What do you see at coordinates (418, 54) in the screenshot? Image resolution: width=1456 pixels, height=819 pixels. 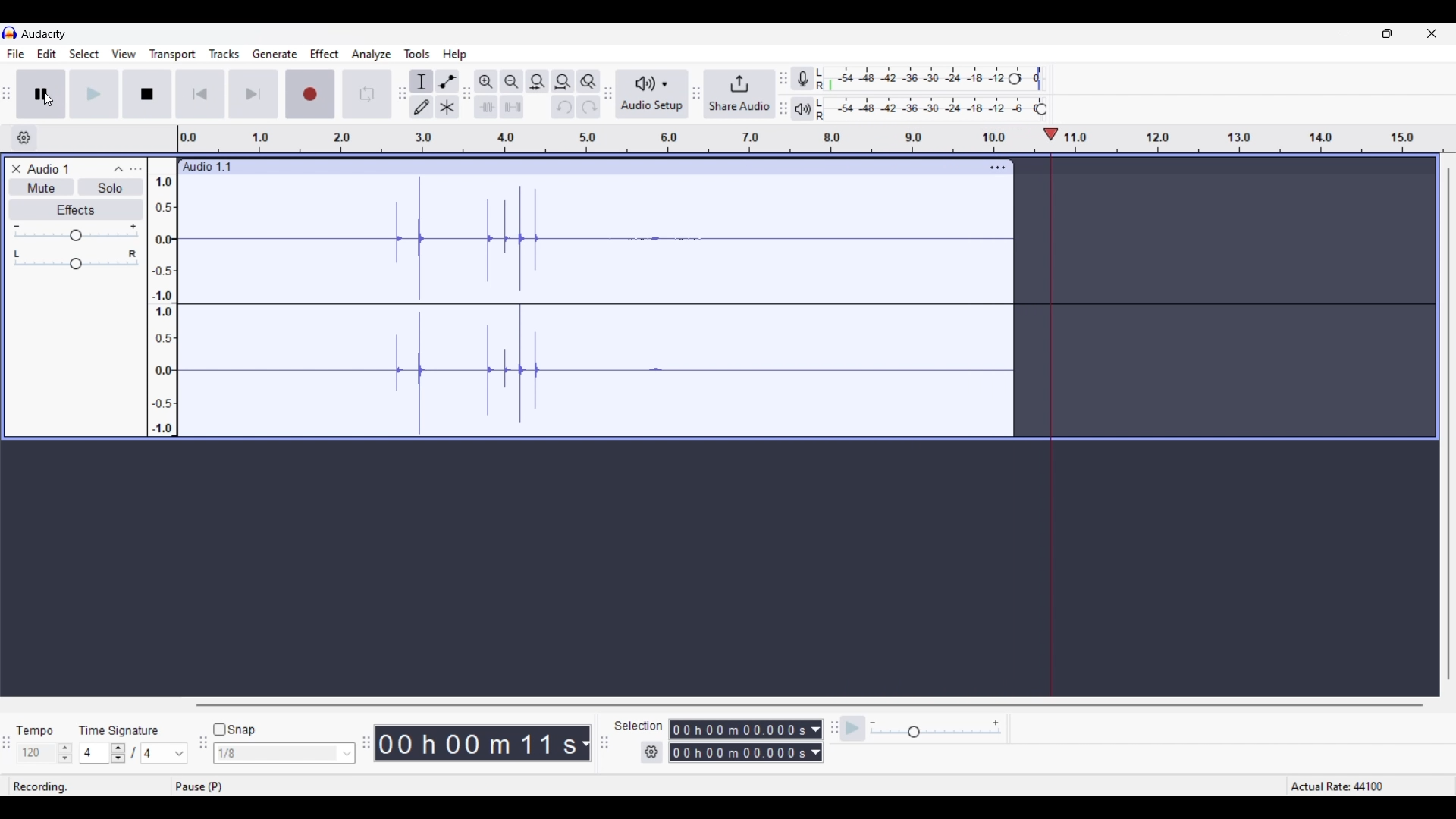 I see `Tools menu` at bounding box center [418, 54].